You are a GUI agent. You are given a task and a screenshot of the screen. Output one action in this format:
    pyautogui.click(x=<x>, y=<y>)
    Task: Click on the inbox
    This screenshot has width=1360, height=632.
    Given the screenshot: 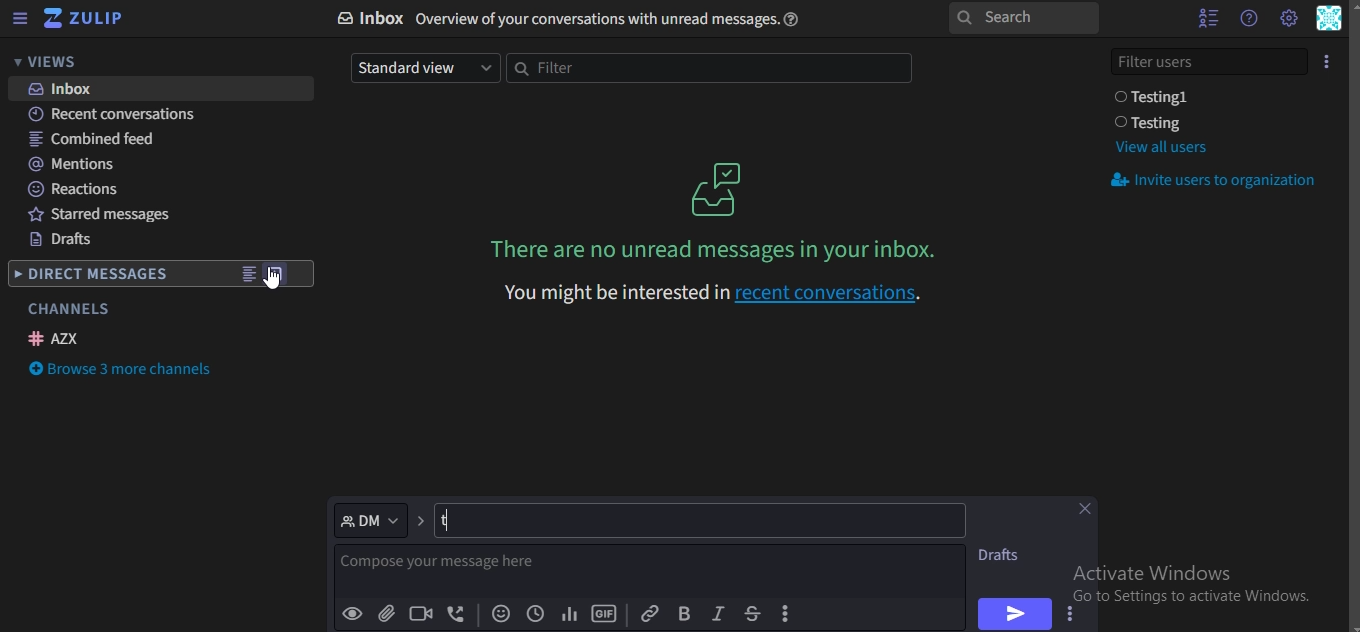 What is the action you would take?
    pyautogui.click(x=67, y=89)
    